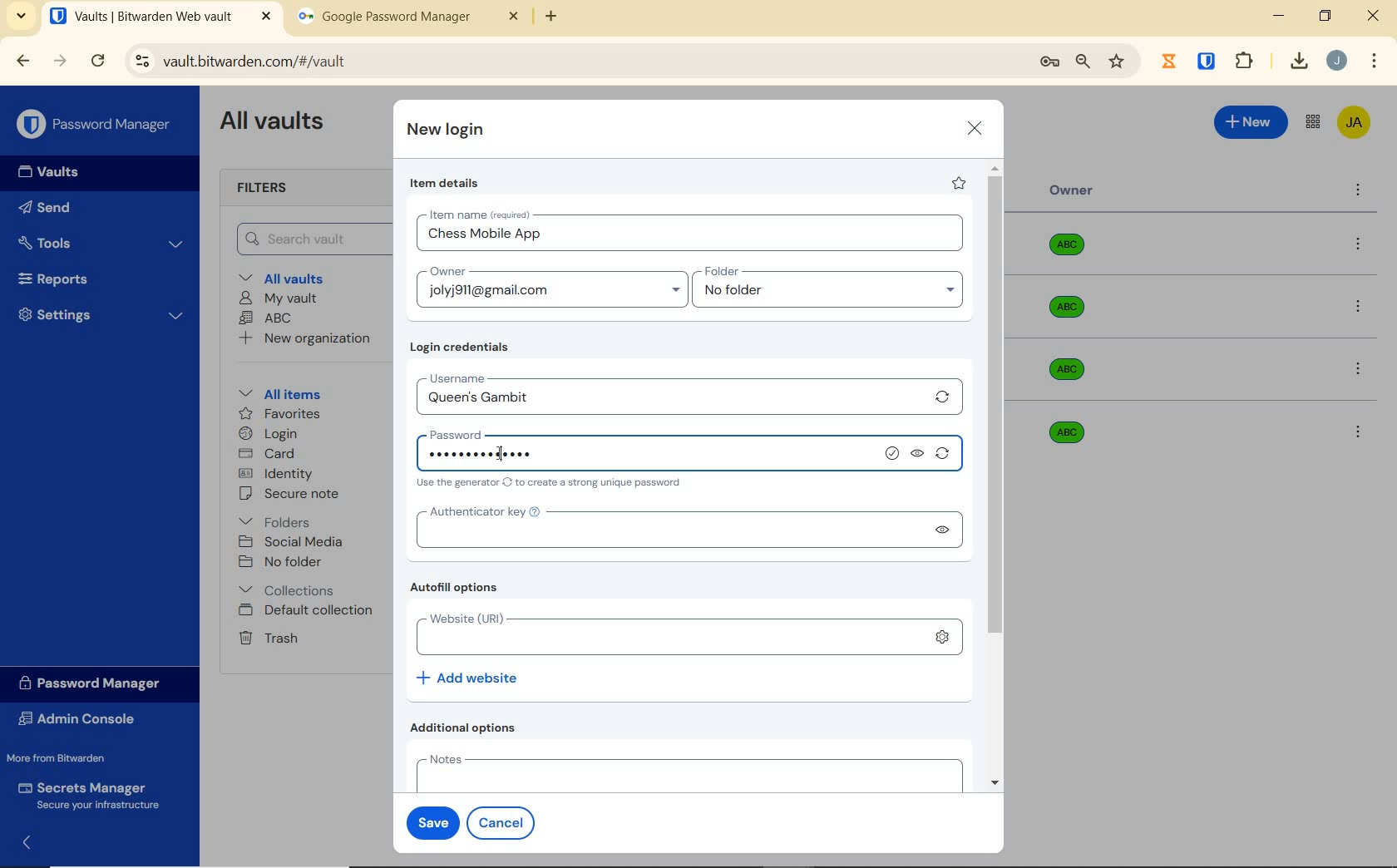 The width and height of the screenshot is (1397, 868). I want to click on close side bar, so click(36, 841).